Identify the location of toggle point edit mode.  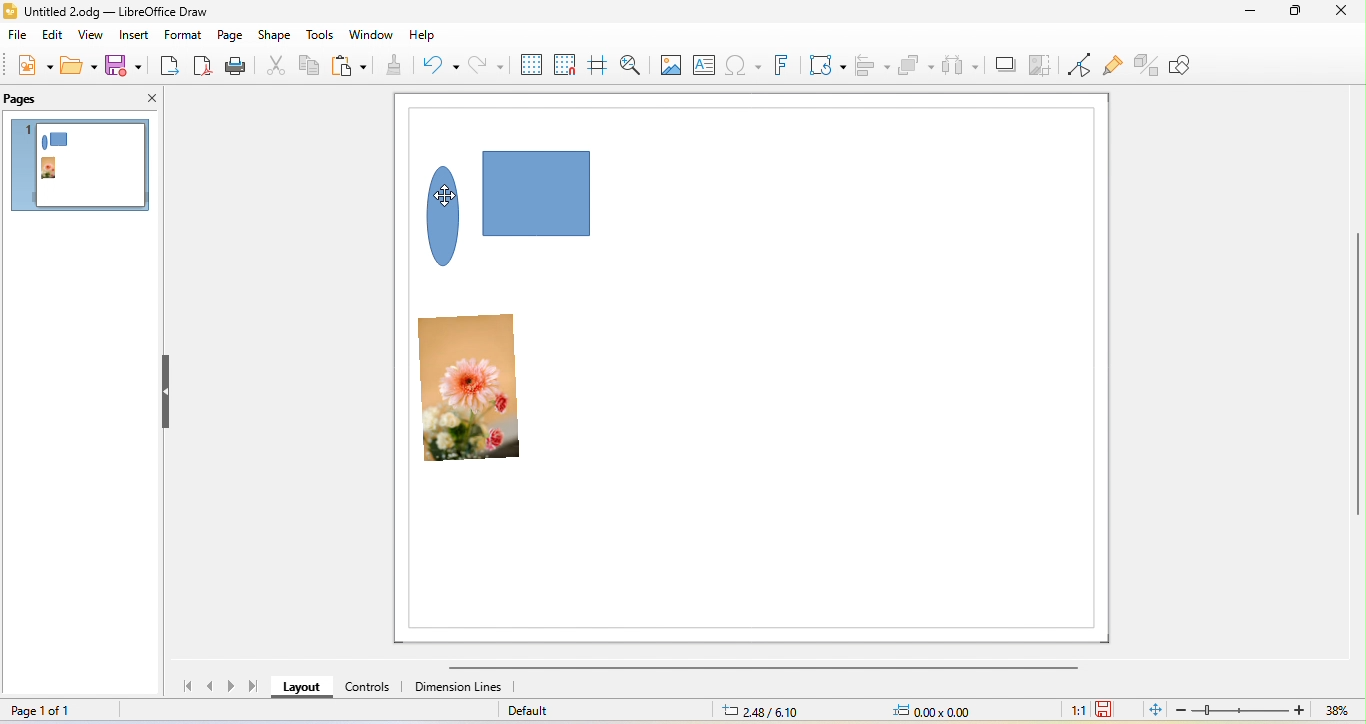
(1080, 63).